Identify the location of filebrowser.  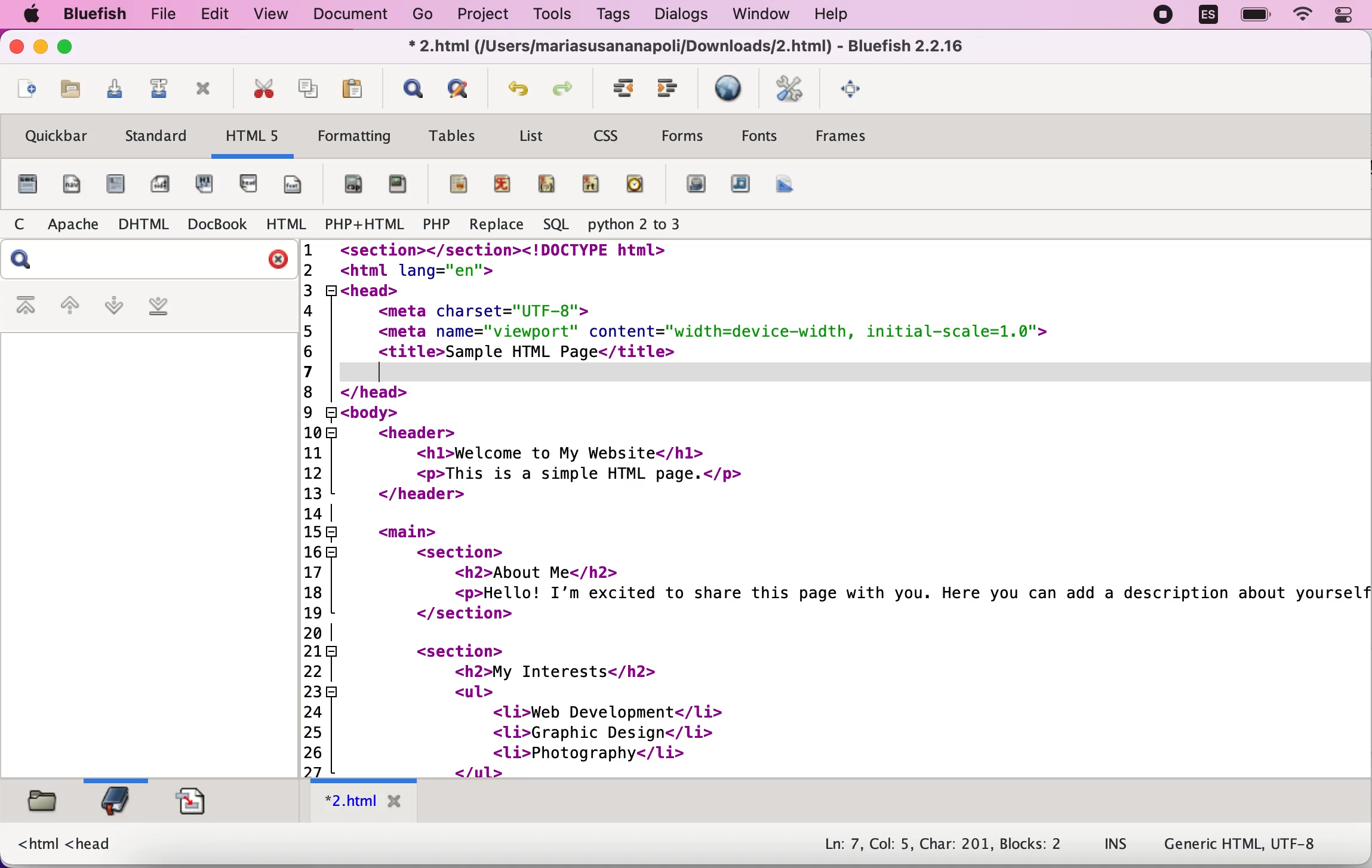
(41, 805).